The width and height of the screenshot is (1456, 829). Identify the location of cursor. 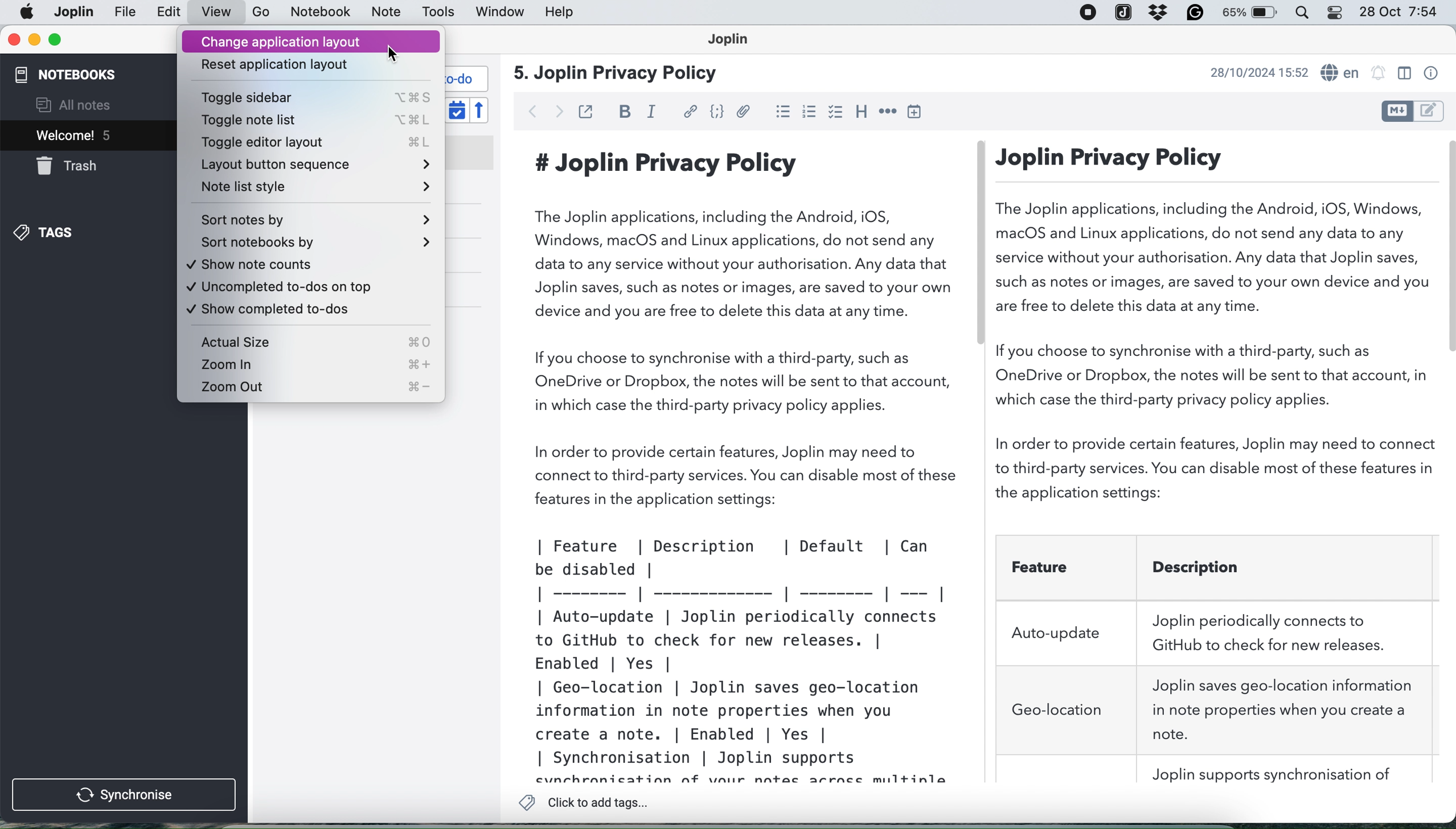
(395, 56).